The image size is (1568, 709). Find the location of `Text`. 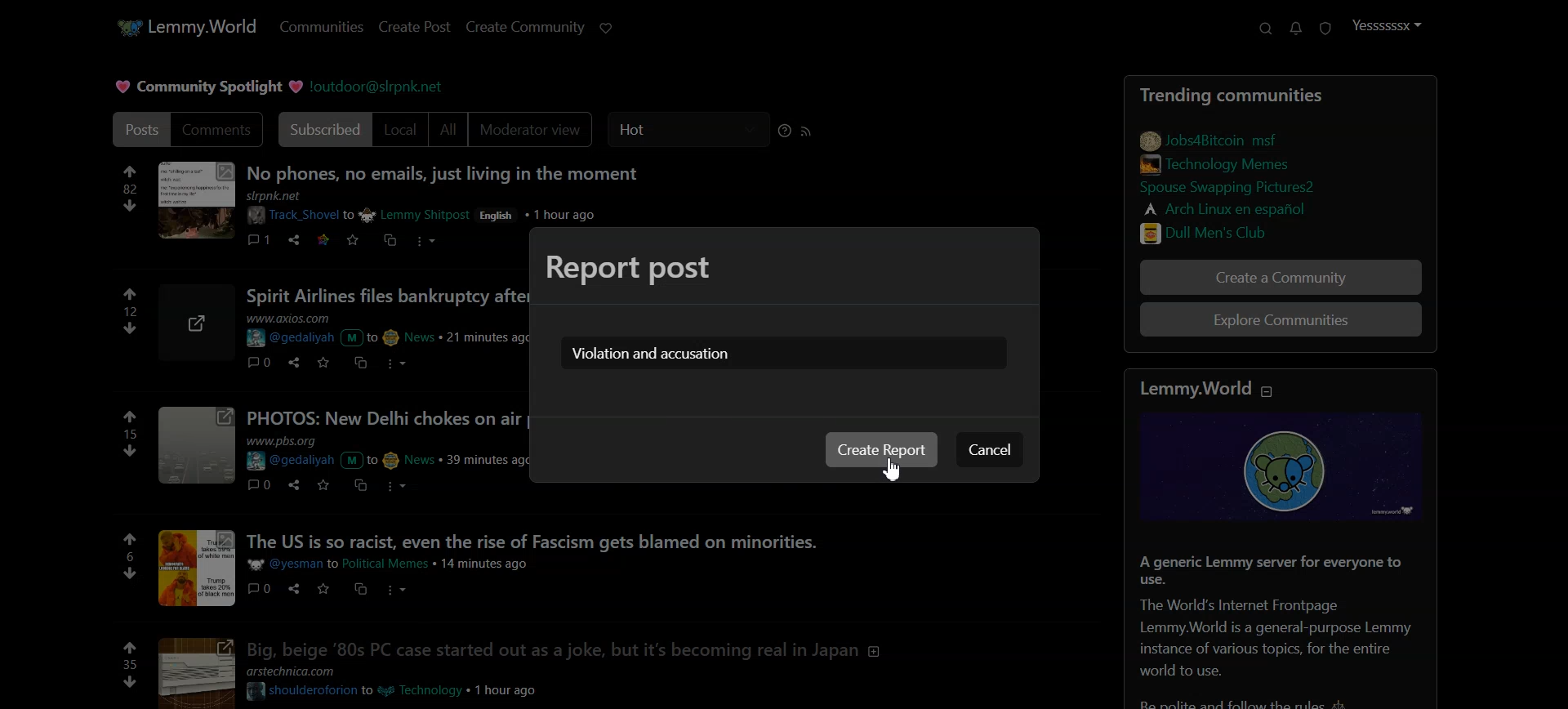

Text is located at coordinates (650, 354).